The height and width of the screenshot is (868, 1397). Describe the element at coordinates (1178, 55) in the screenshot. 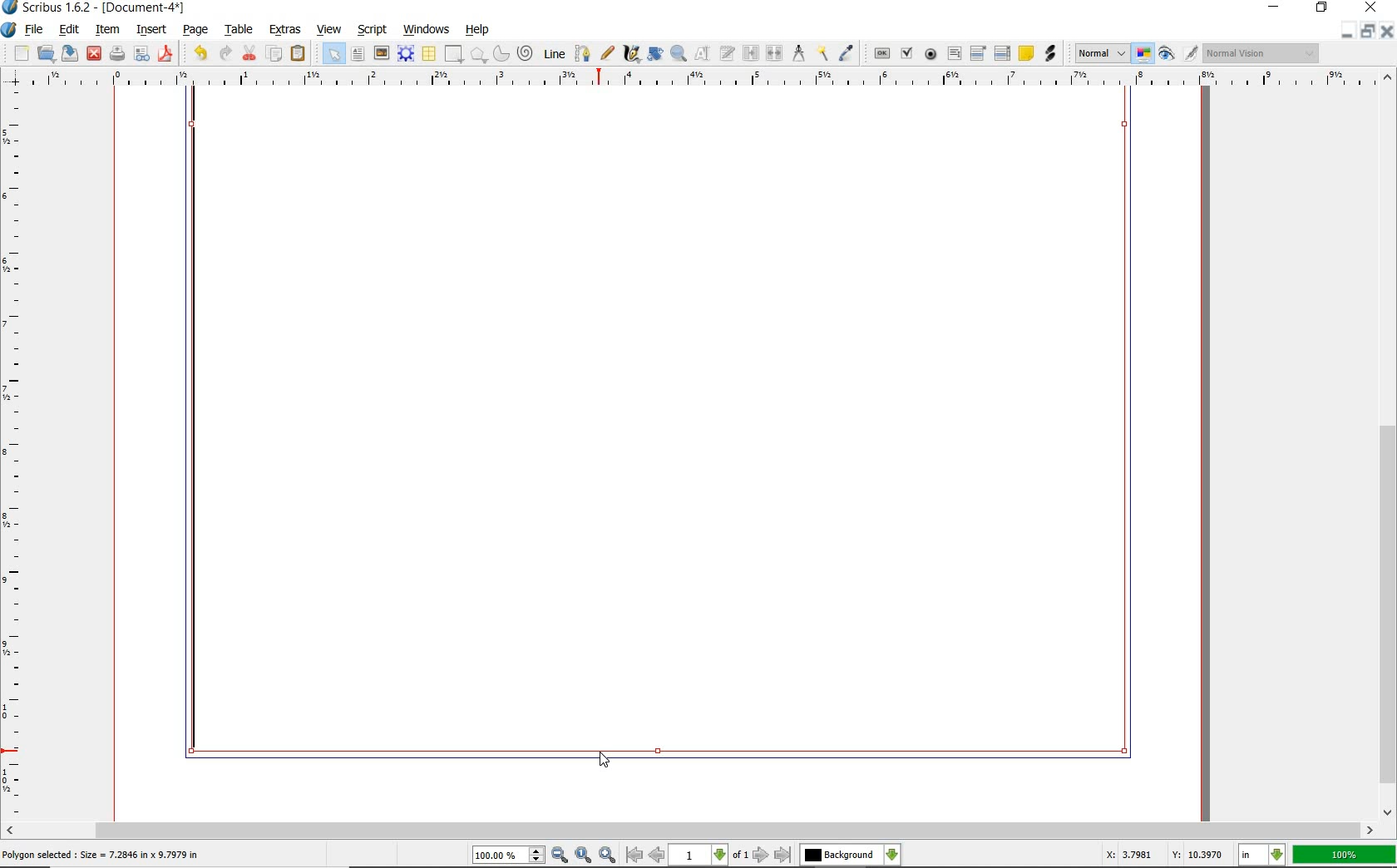

I see `preview mode` at that location.